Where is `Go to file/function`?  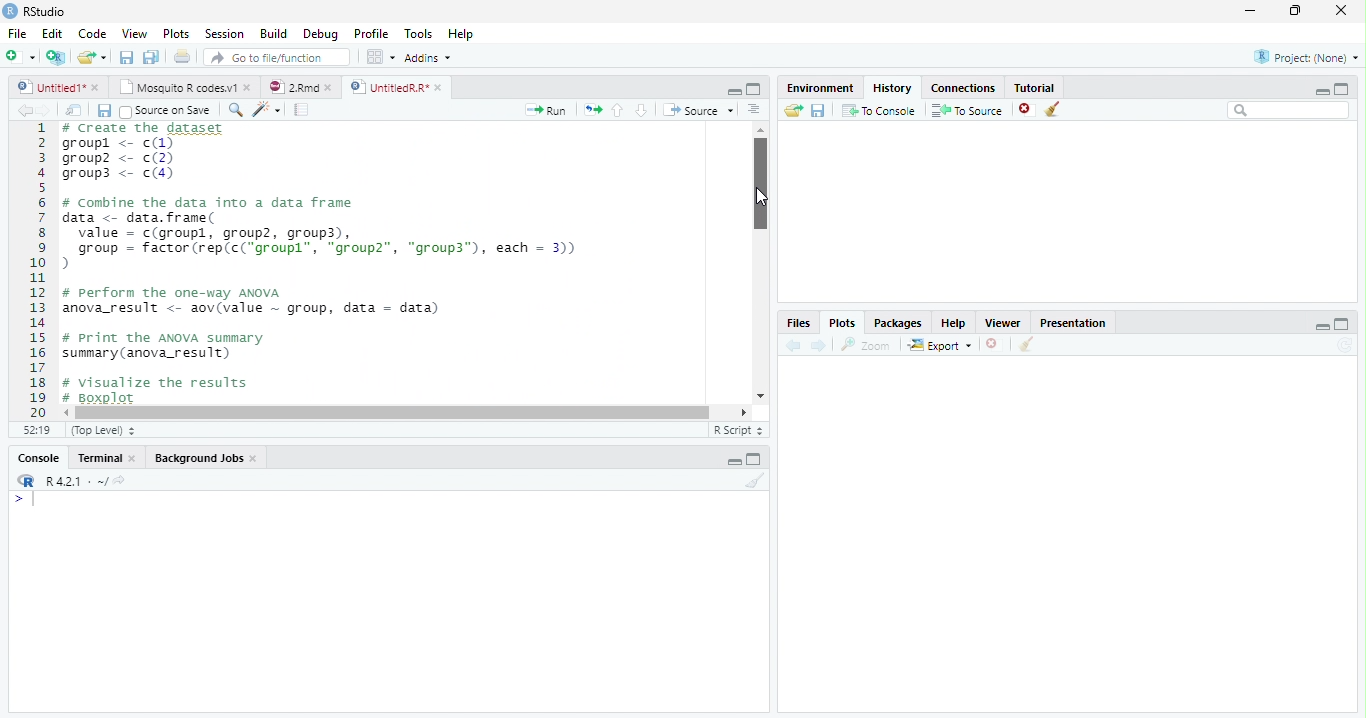
Go to file/function is located at coordinates (277, 58).